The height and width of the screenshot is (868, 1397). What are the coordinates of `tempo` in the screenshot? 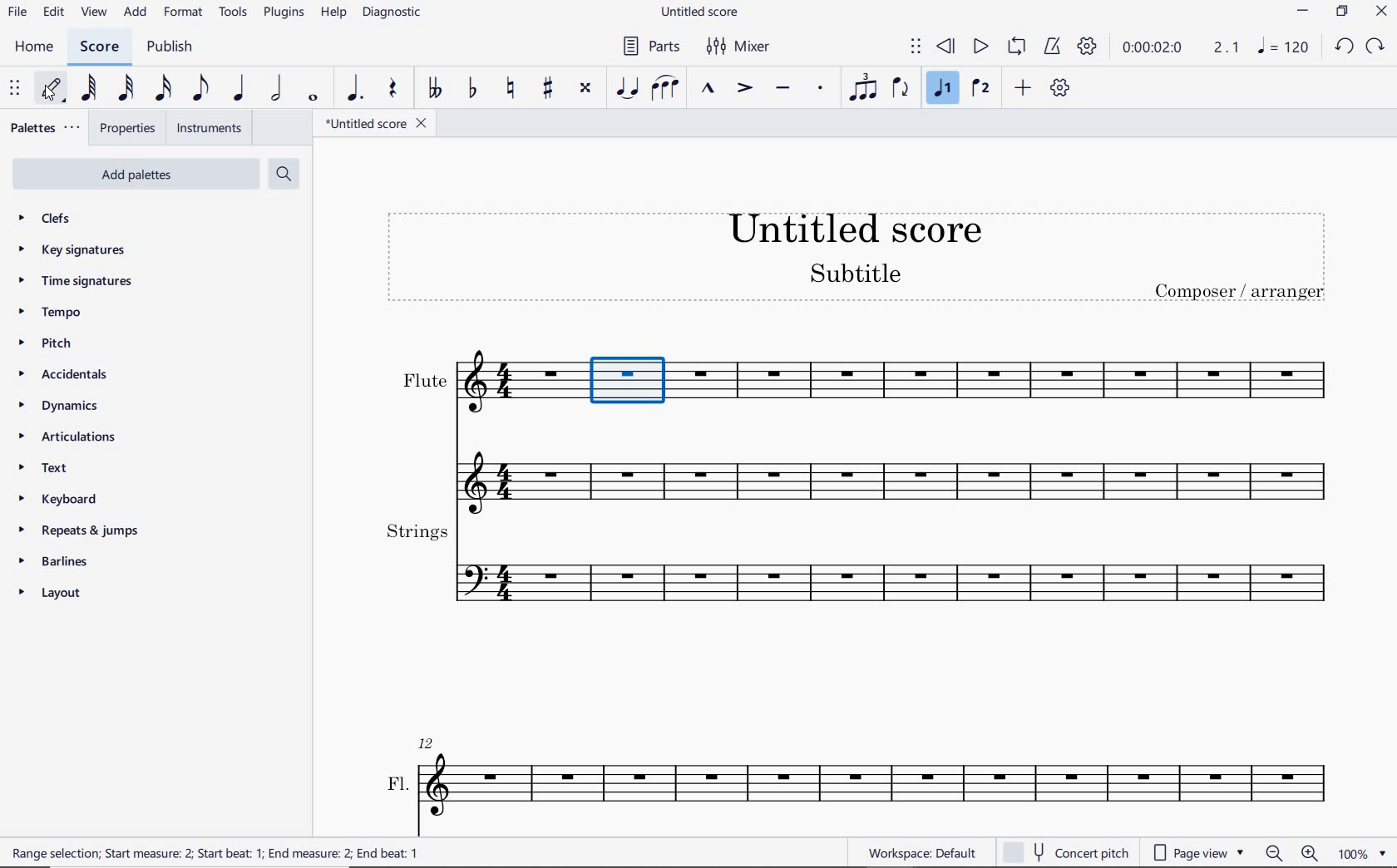 It's located at (53, 313).